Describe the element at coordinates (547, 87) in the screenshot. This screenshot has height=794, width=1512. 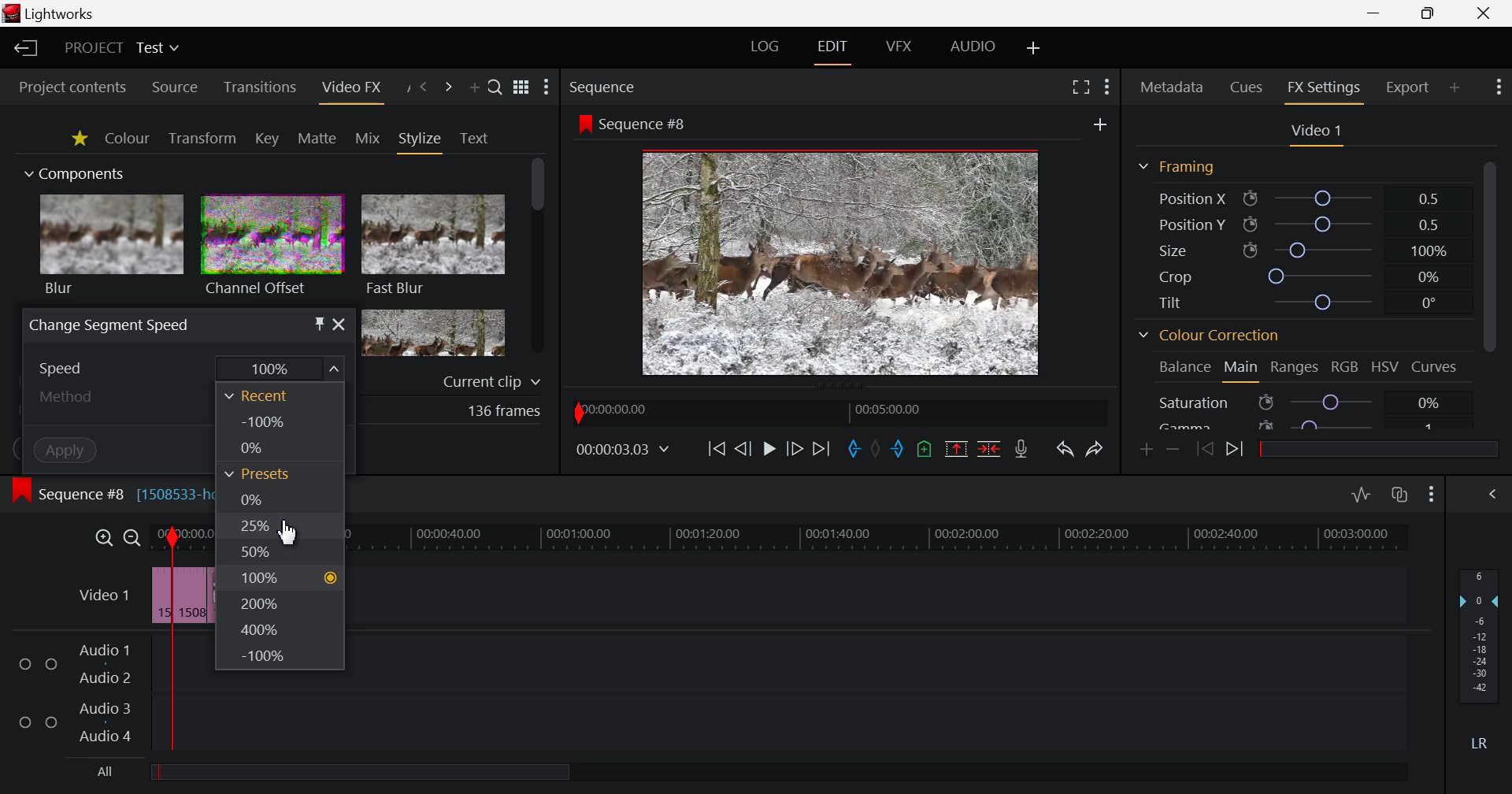
I see `Show Settings` at that location.